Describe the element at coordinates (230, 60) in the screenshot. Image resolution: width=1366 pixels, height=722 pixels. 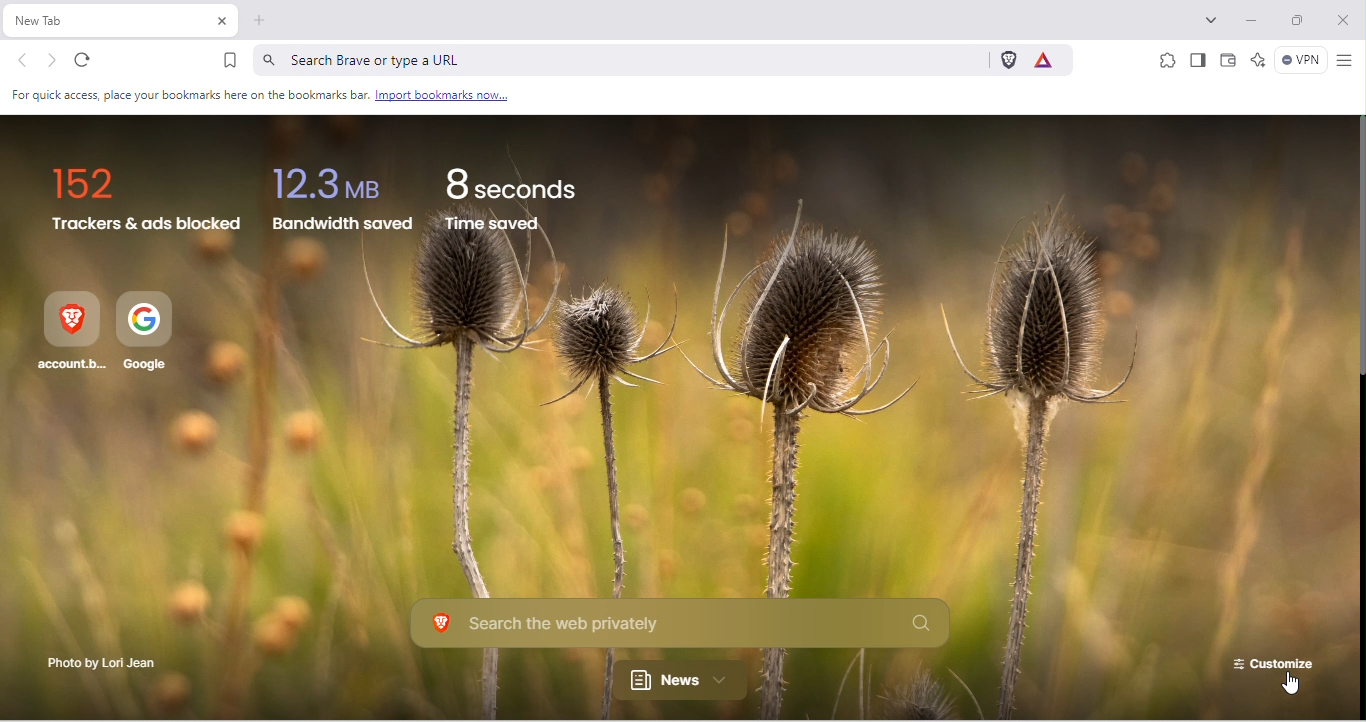
I see `Bookmark` at that location.